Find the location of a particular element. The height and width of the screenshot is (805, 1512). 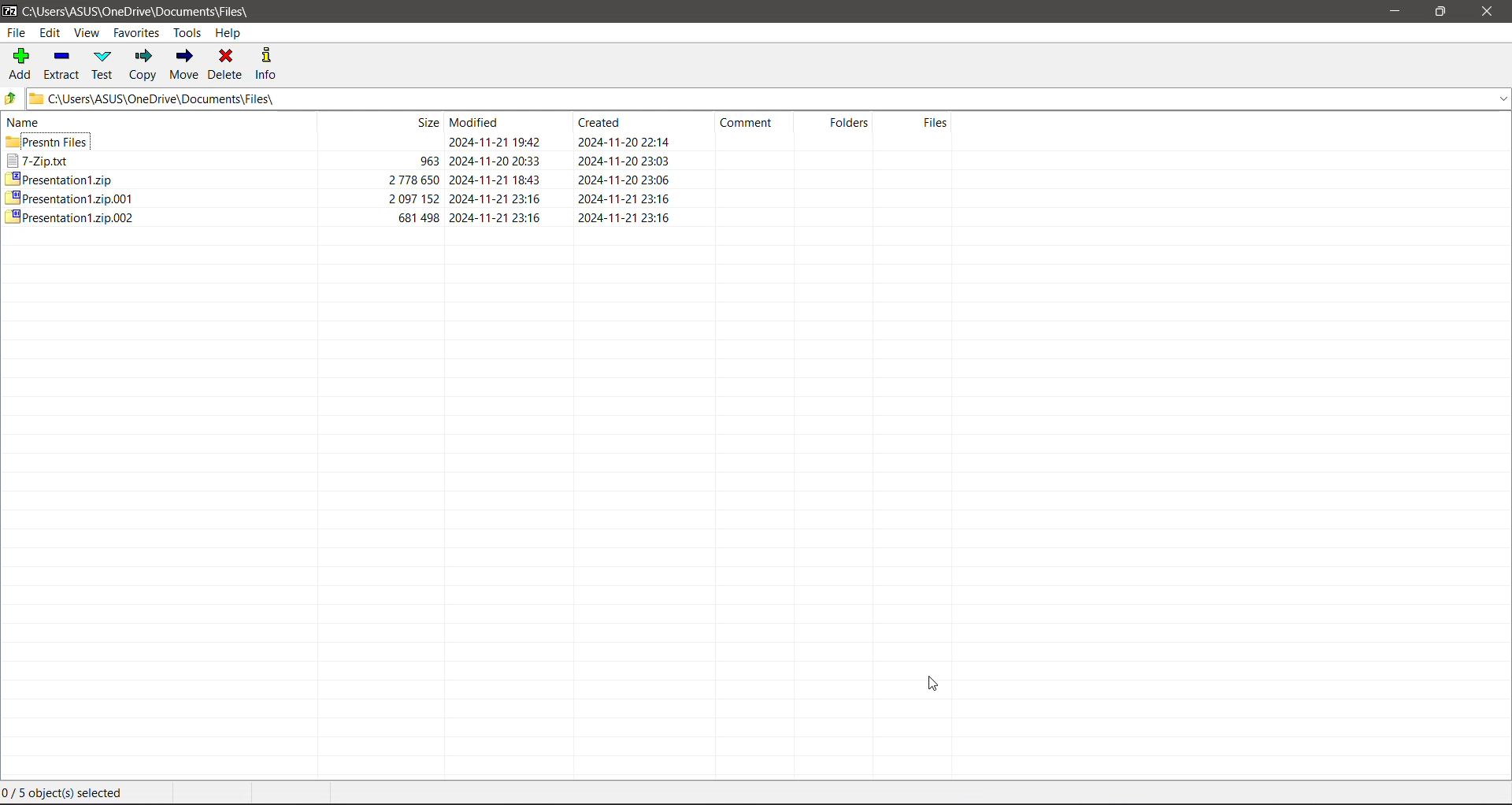

Help is located at coordinates (233, 35).